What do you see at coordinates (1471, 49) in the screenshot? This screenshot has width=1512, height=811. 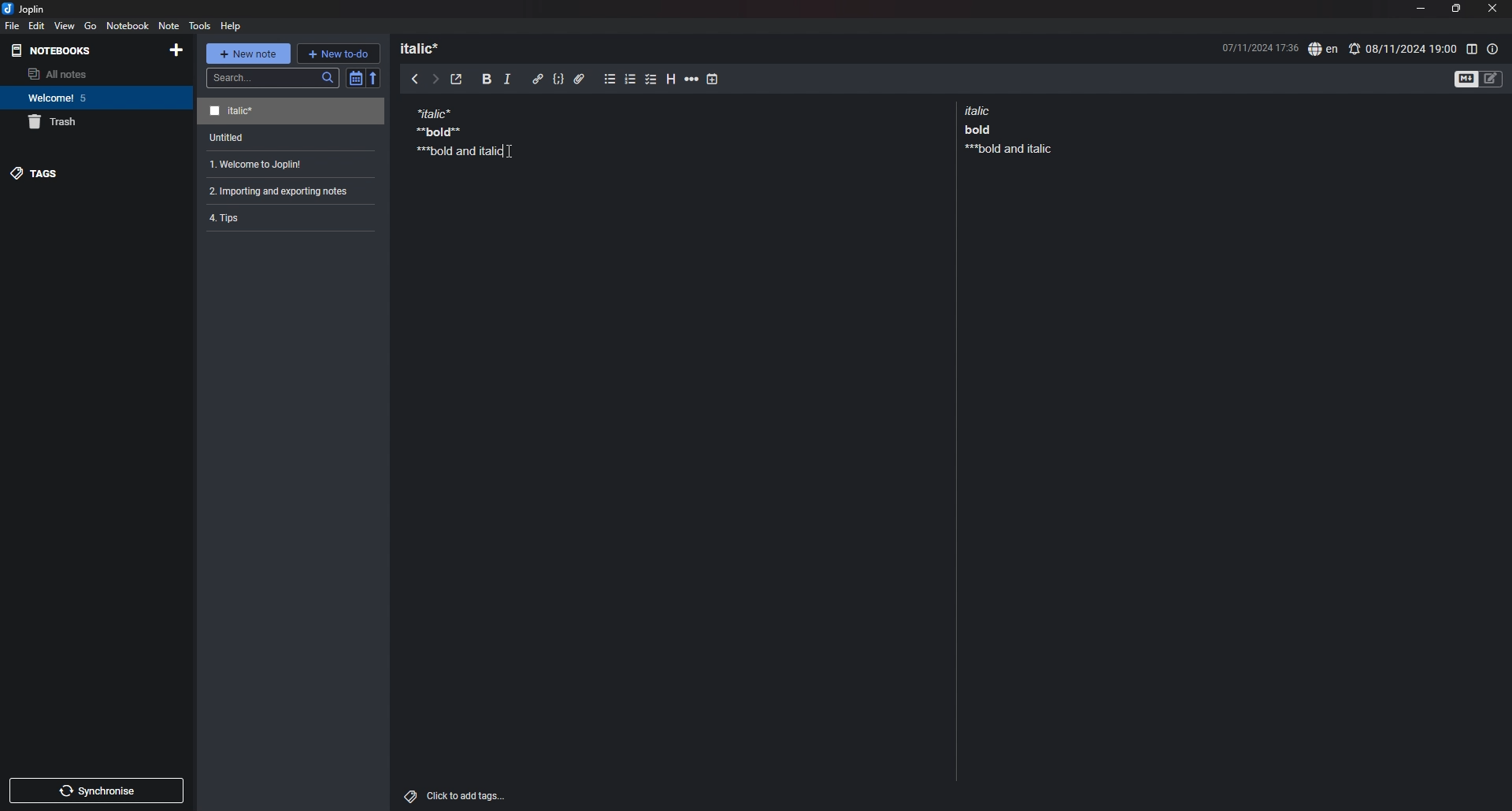 I see `toggle editor layout` at bounding box center [1471, 49].